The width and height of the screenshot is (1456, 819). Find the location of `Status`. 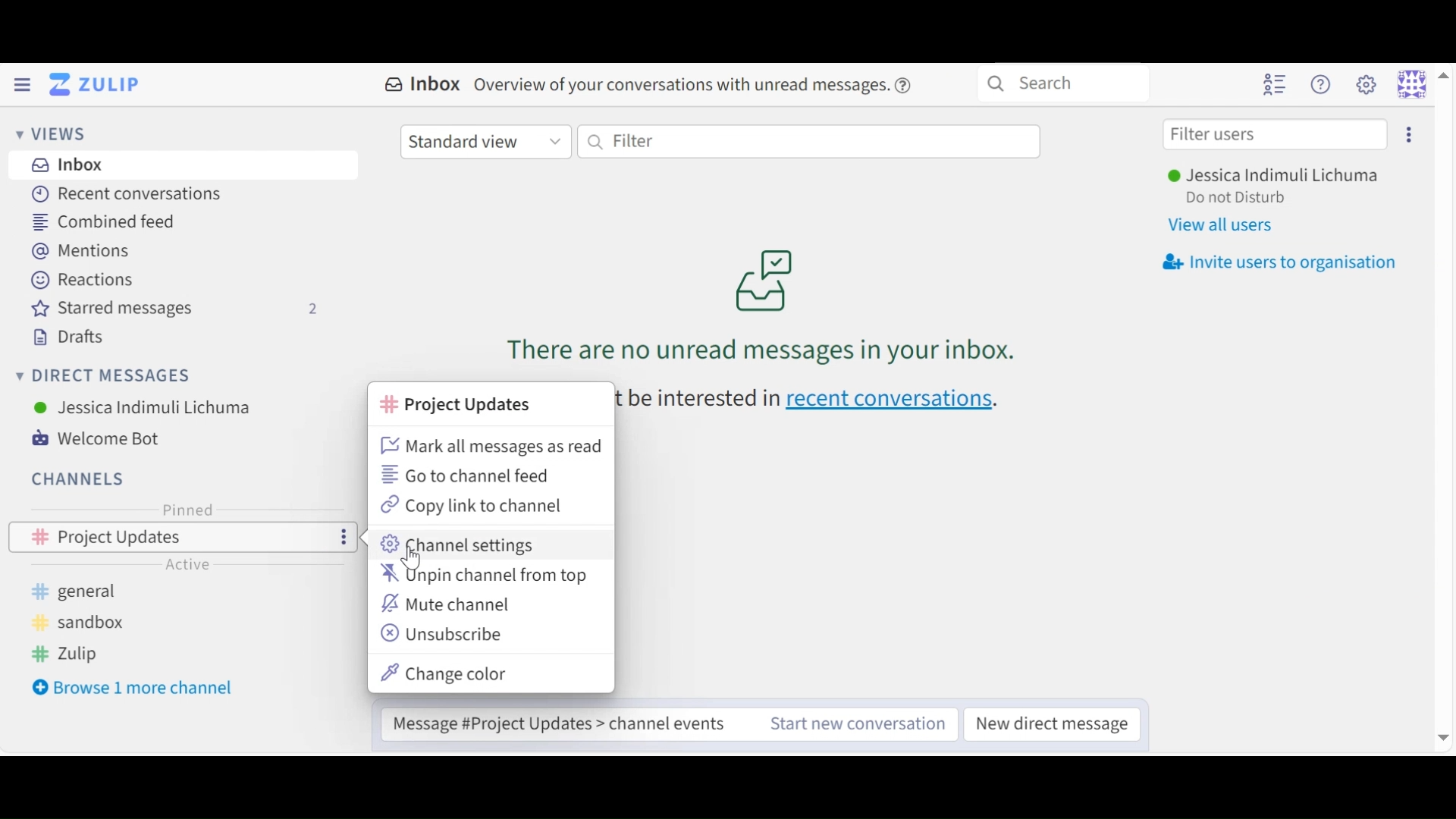

Status is located at coordinates (1237, 199).